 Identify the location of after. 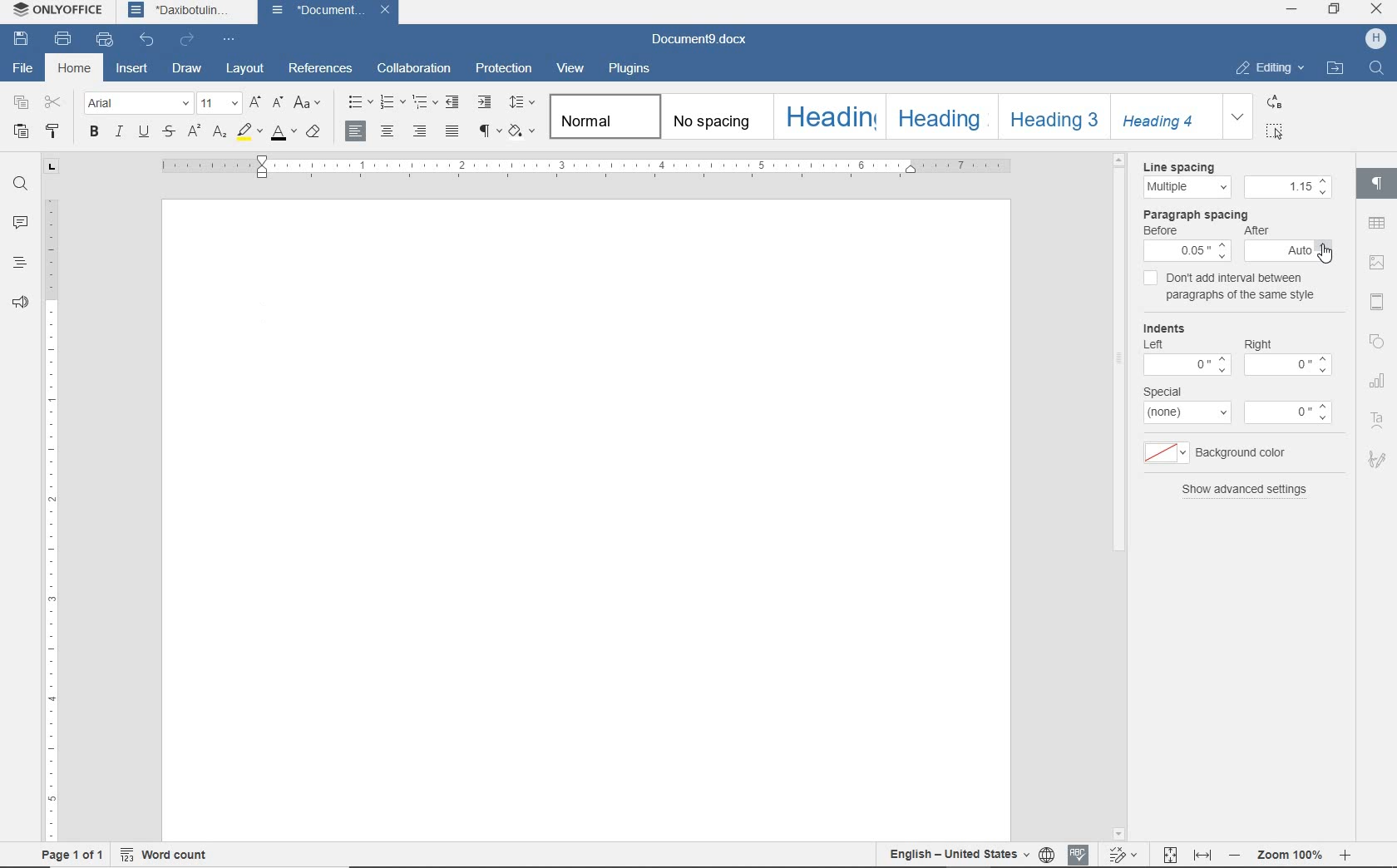
(1256, 230).